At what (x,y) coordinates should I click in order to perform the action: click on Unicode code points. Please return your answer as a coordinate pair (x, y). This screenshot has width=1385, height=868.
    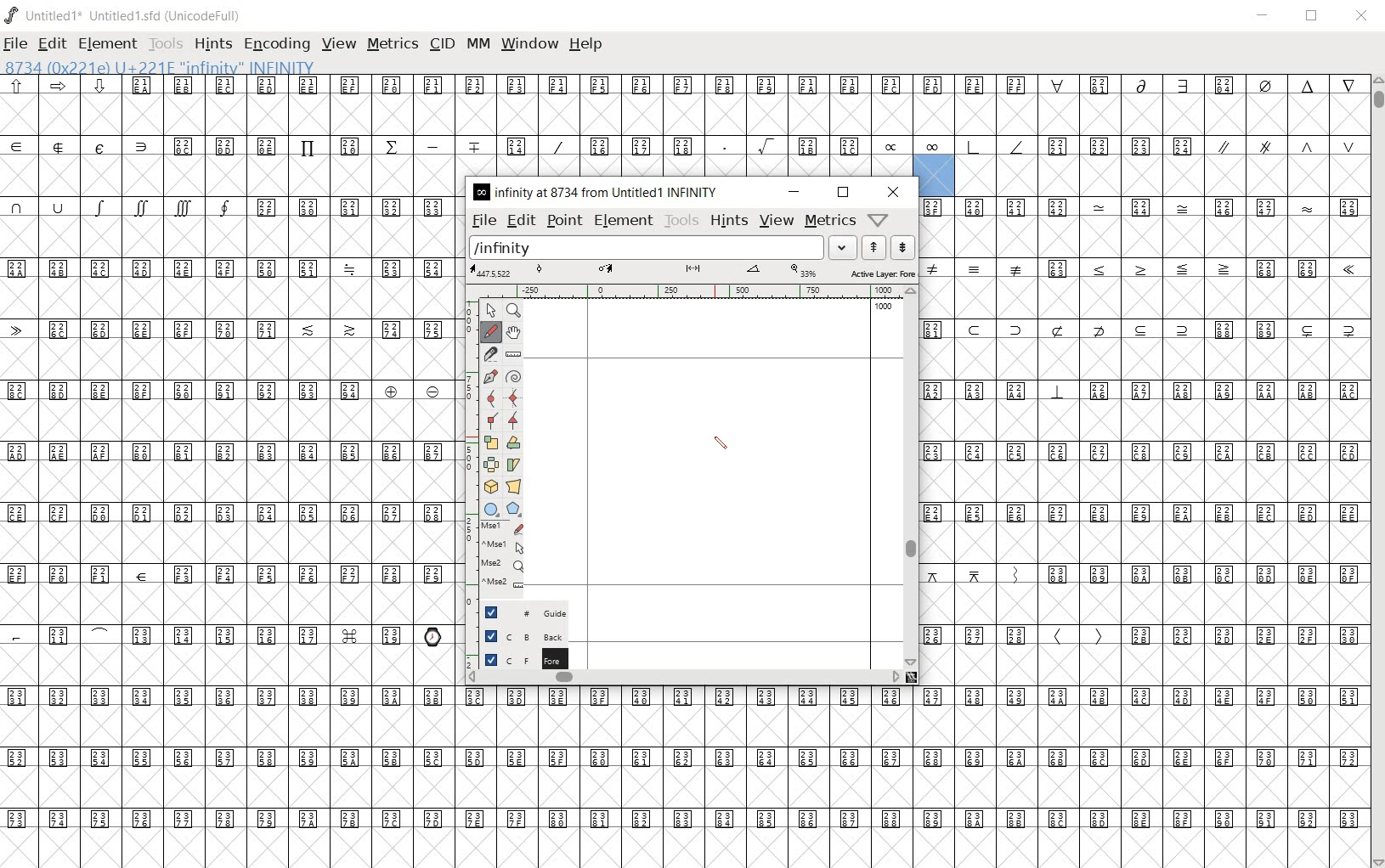
    Looking at the image, I should click on (231, 515).